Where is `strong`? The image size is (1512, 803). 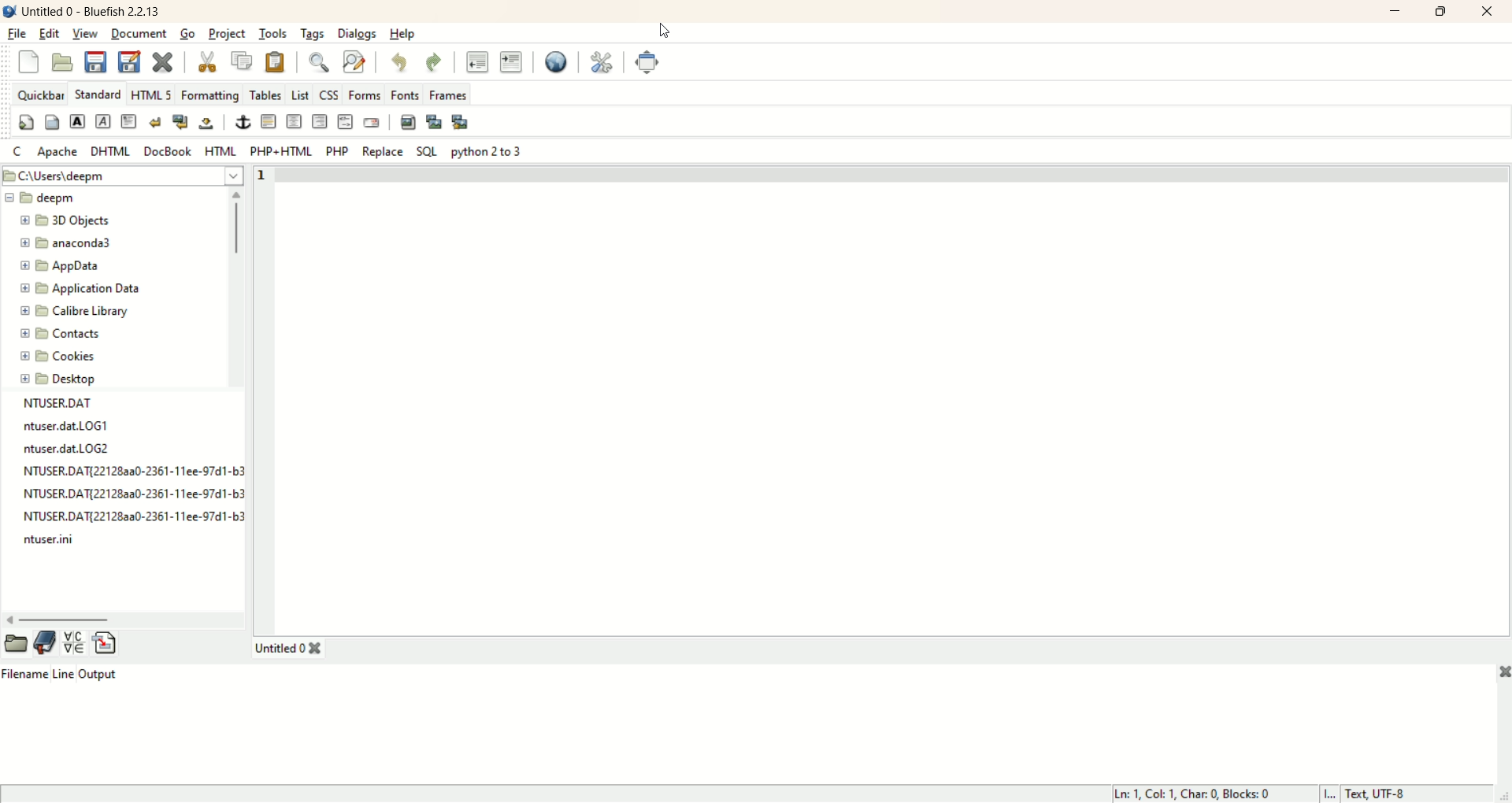 strong is located at coordinates (78, 122).